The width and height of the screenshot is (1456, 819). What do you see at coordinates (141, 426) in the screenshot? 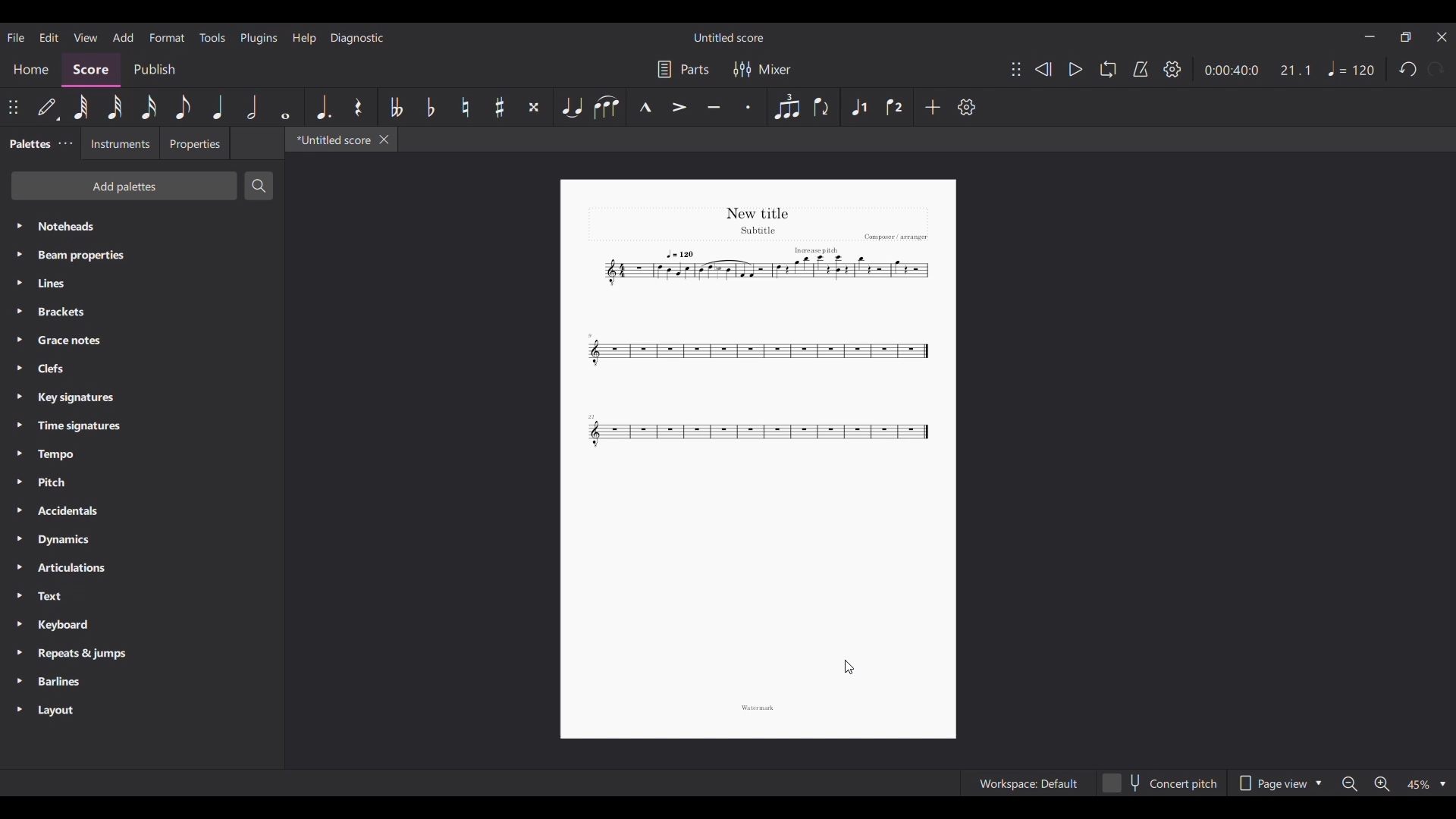
I see `Time signatures` at bounding box center [141, 426].